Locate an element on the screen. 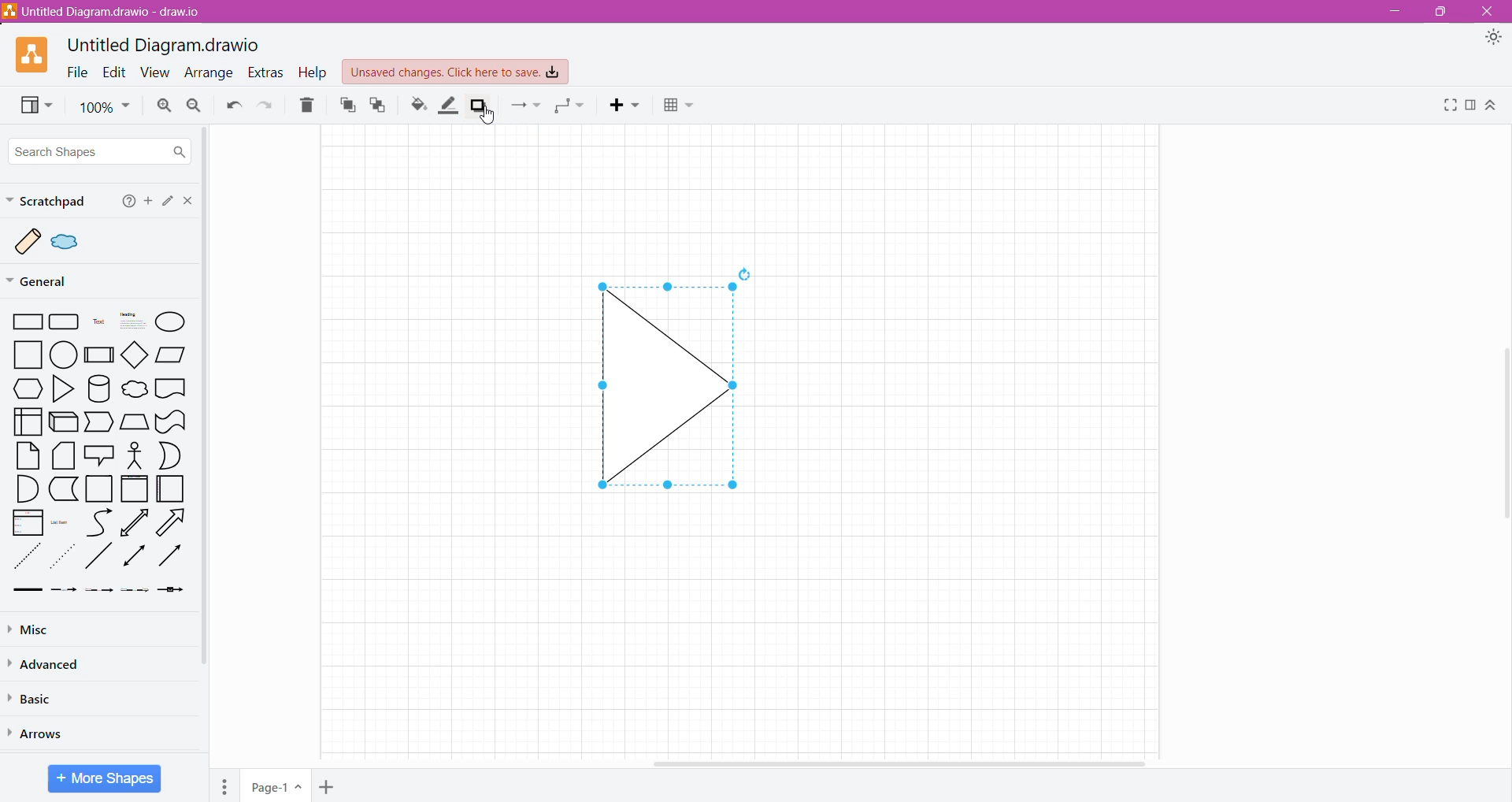  Scratched shape 1 is located at coordinates (30, 241).